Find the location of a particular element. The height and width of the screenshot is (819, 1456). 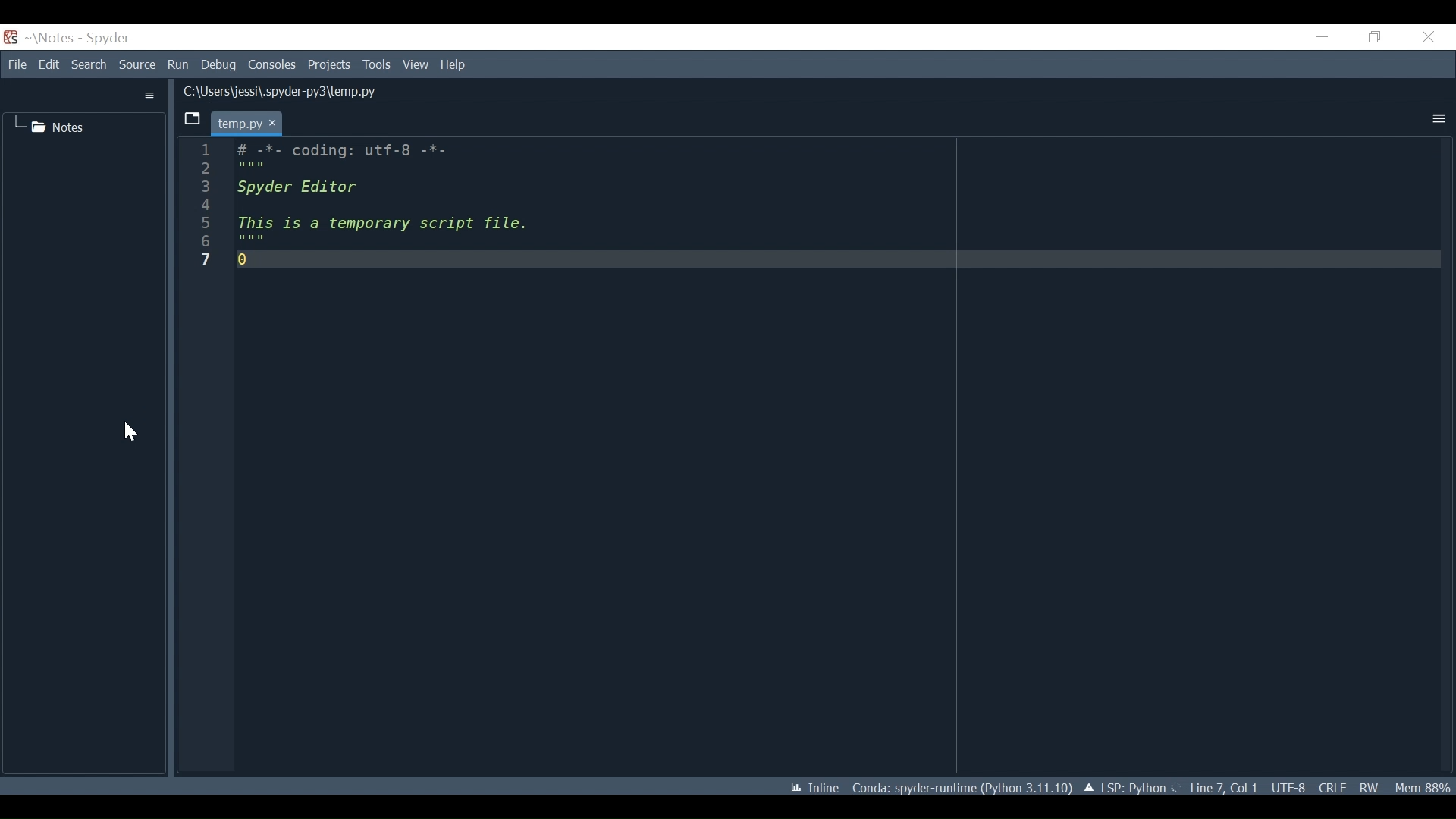

Editor is located at coordinates (804, 450).